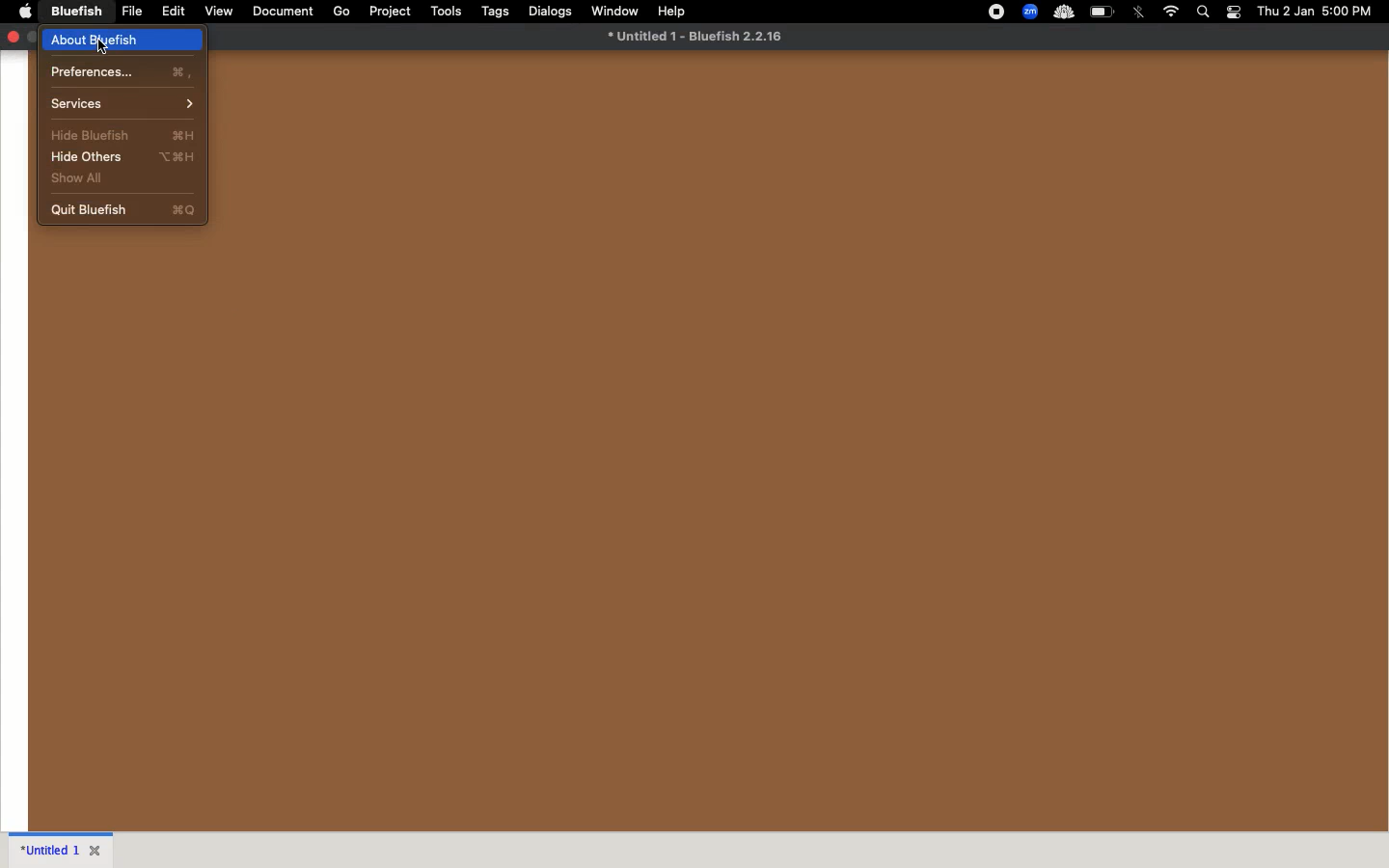  What do you see at coordinates (617, 10) in the screenshot?
I see `window` at bounding box center [617, 10].